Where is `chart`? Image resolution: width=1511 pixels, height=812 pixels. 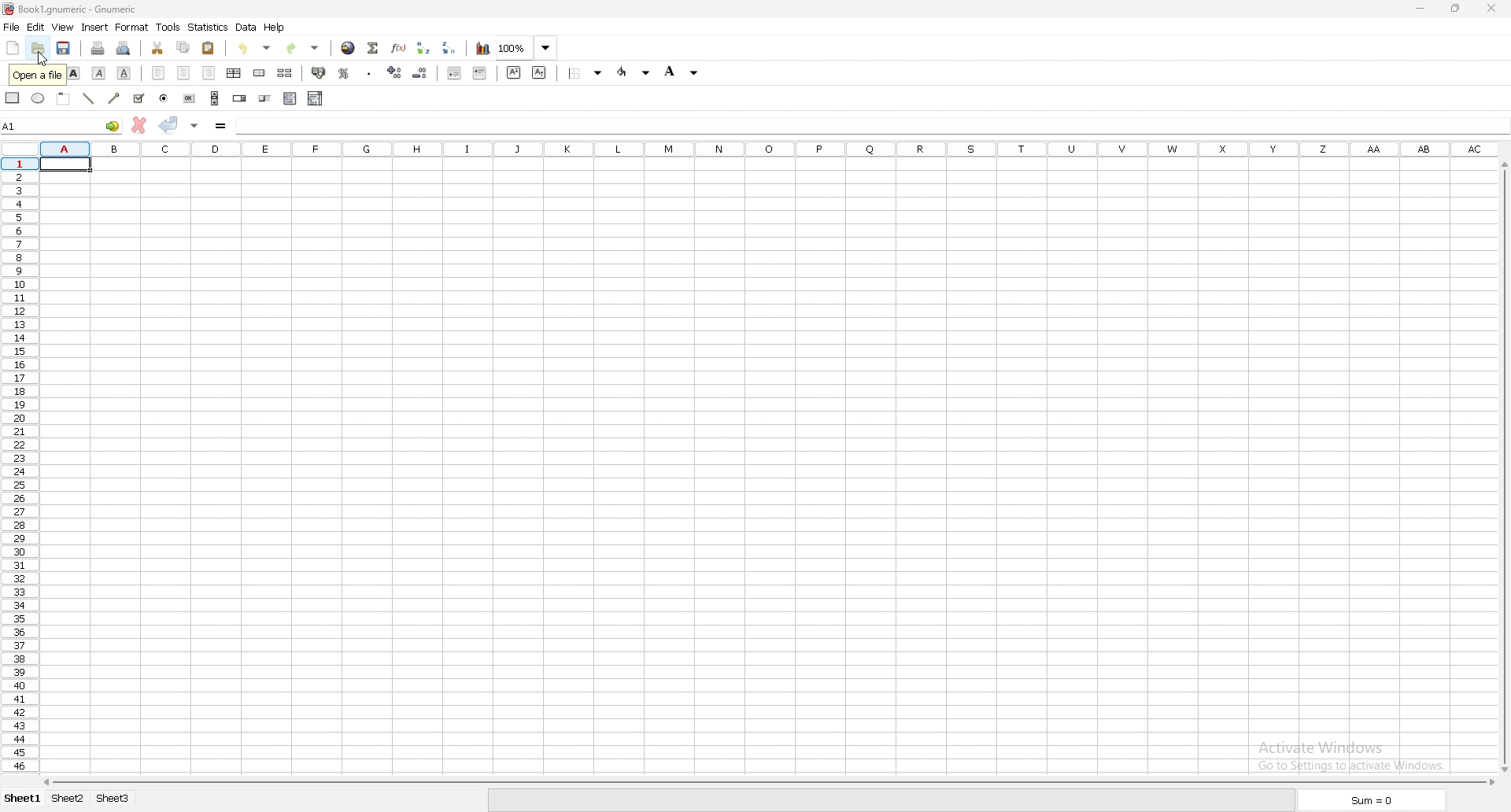
chart is located at coordinates (482, 50).